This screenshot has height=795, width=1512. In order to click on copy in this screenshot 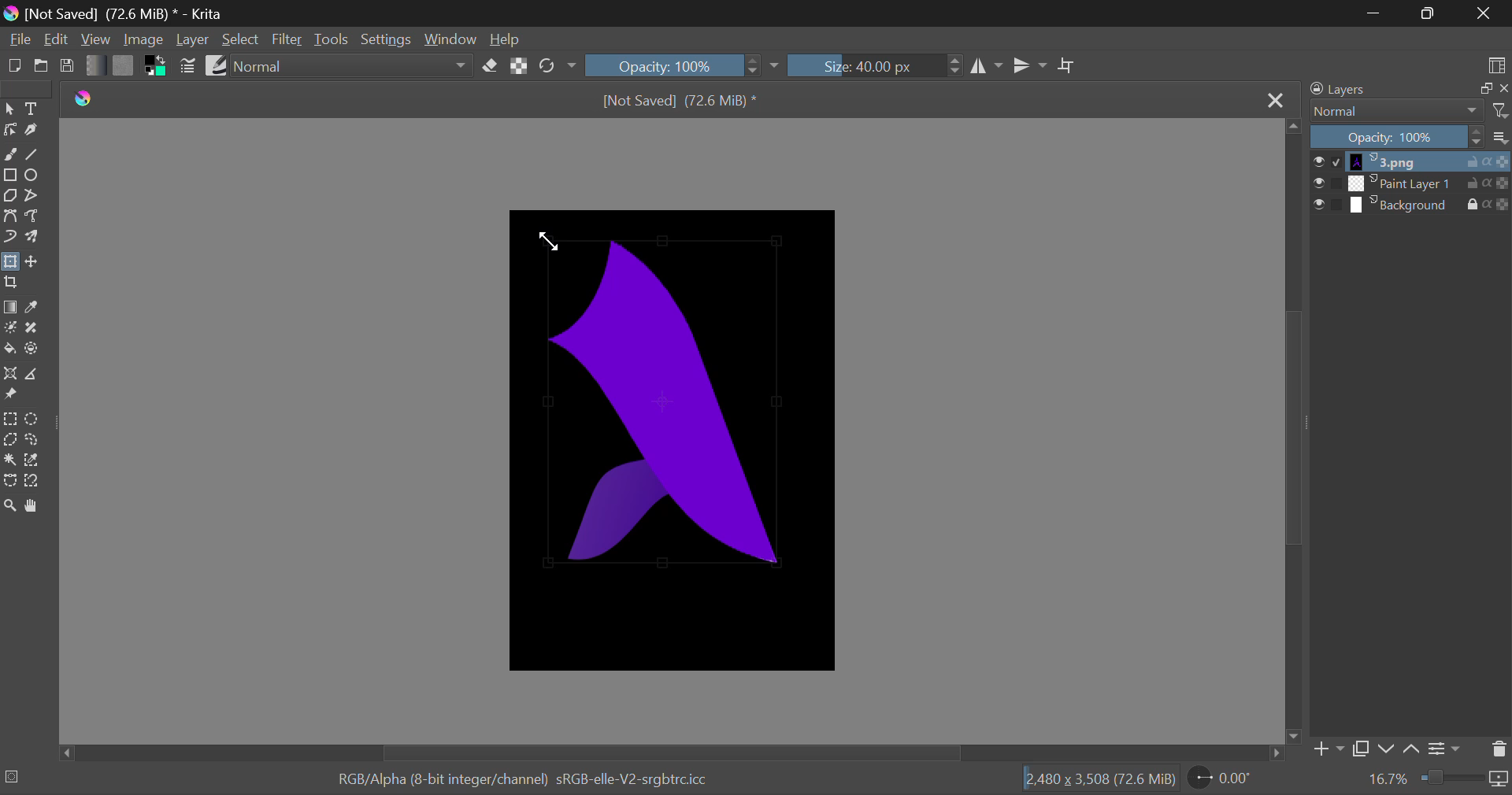, I will do `click(1483, 89)`.